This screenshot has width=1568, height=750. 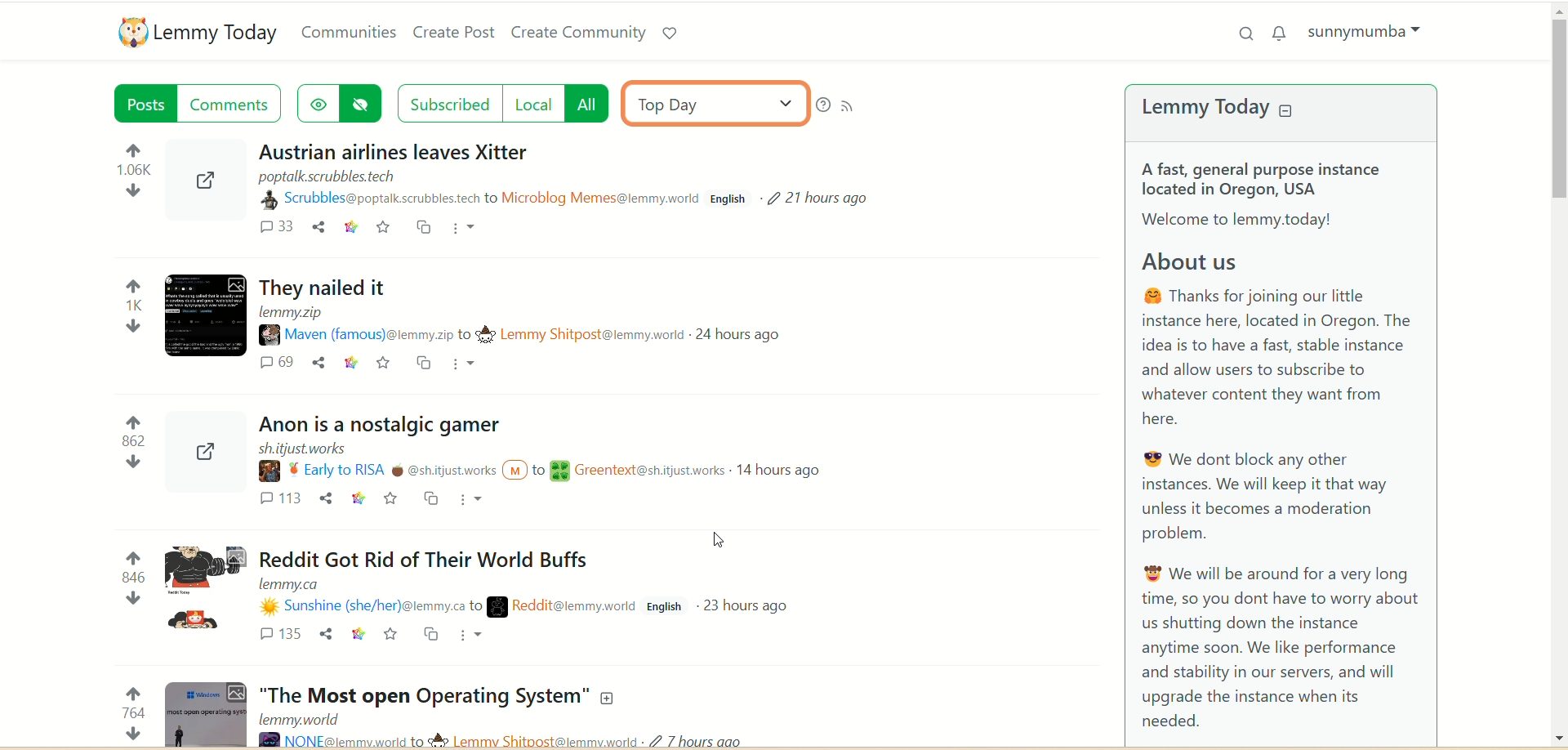 I want to click on help, so click(x=822, y=105).